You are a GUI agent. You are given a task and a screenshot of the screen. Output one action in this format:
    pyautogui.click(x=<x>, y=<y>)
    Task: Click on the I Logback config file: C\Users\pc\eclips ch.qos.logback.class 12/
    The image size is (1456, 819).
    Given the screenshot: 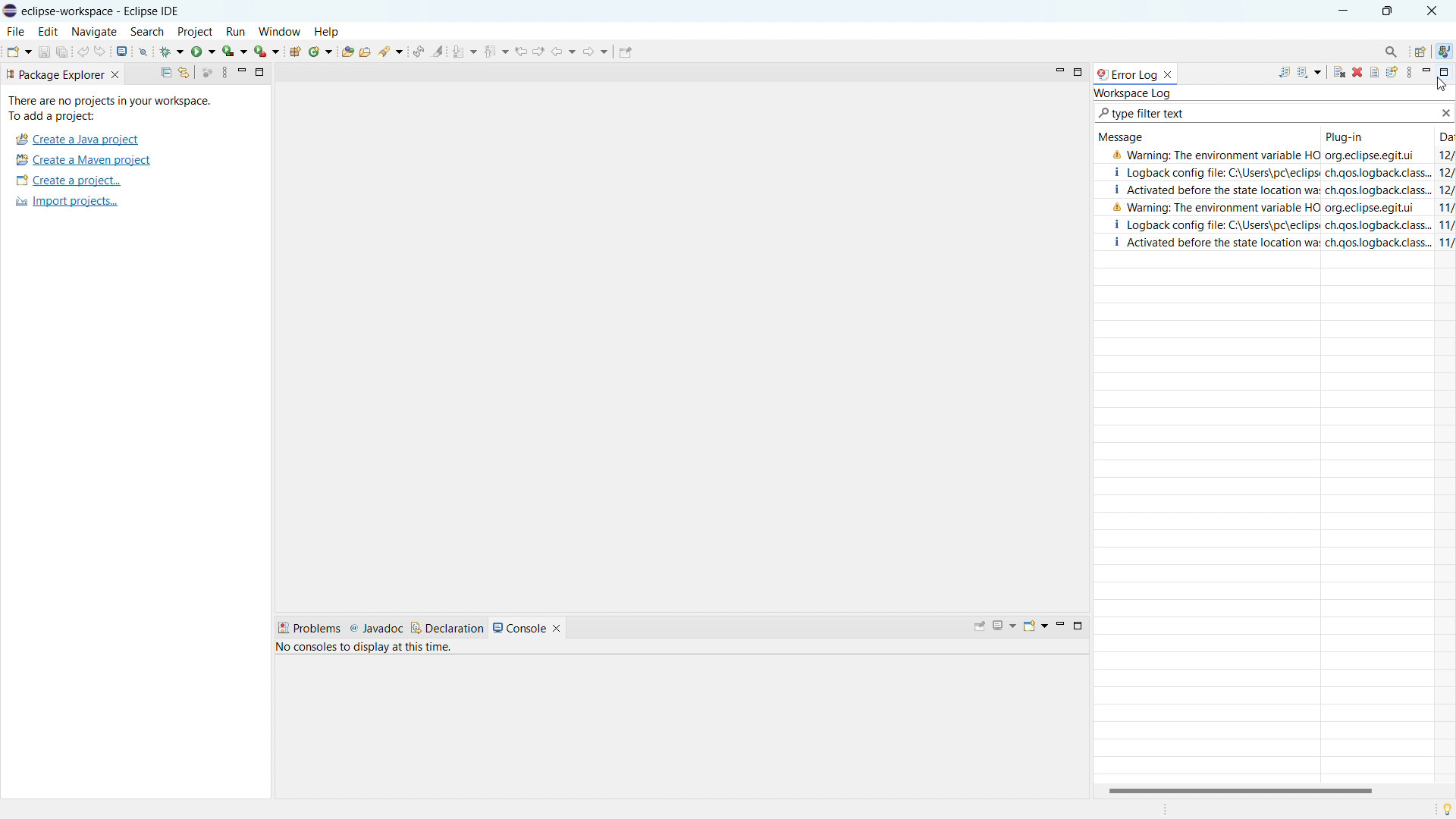 What is the action you would take?
    pyautogui.click(x=1274, y=170)
    